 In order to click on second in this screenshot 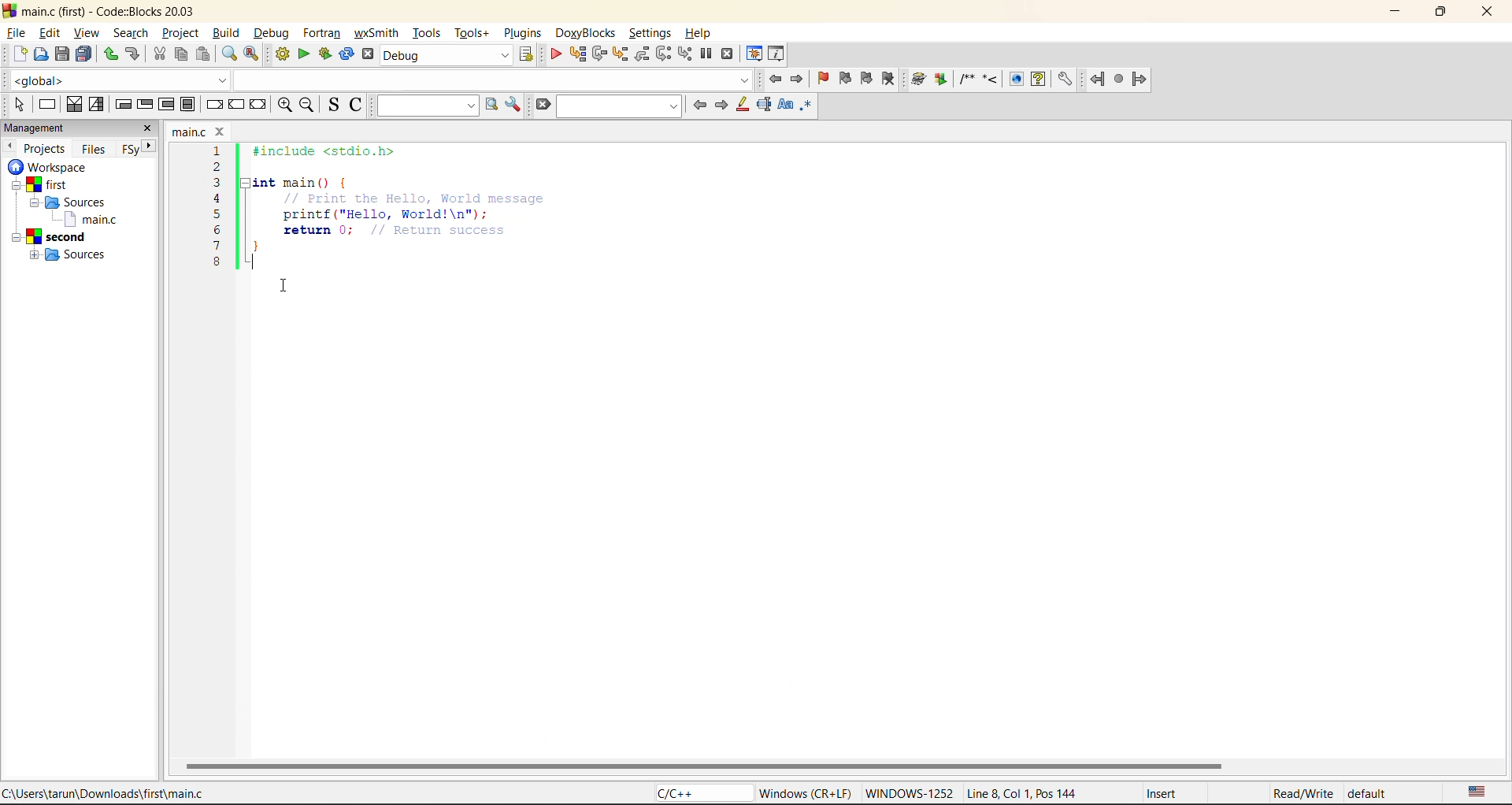, I will do `click(55, 237)`.